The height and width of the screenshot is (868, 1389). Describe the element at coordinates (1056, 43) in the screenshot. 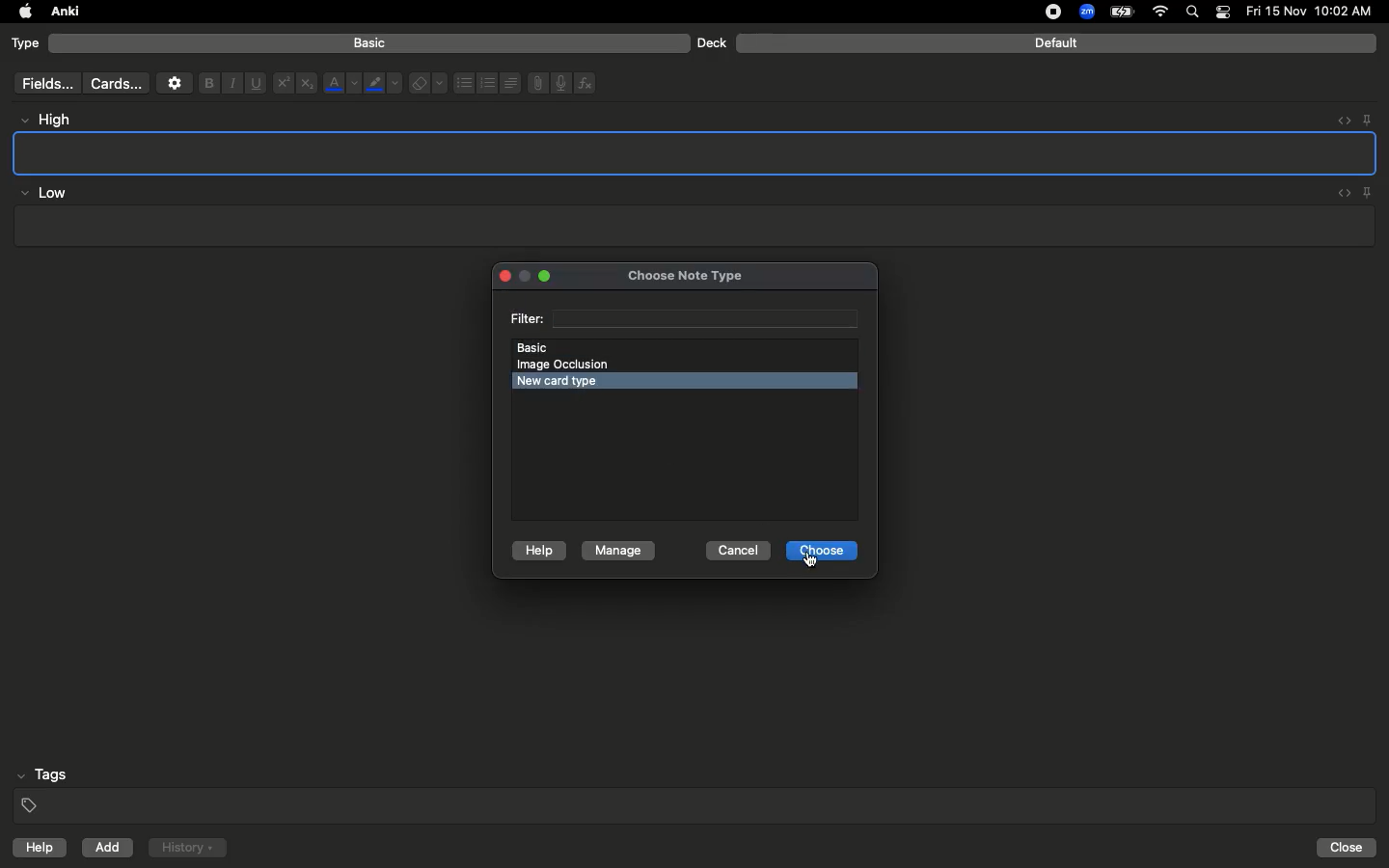

I see `Default` at that location.